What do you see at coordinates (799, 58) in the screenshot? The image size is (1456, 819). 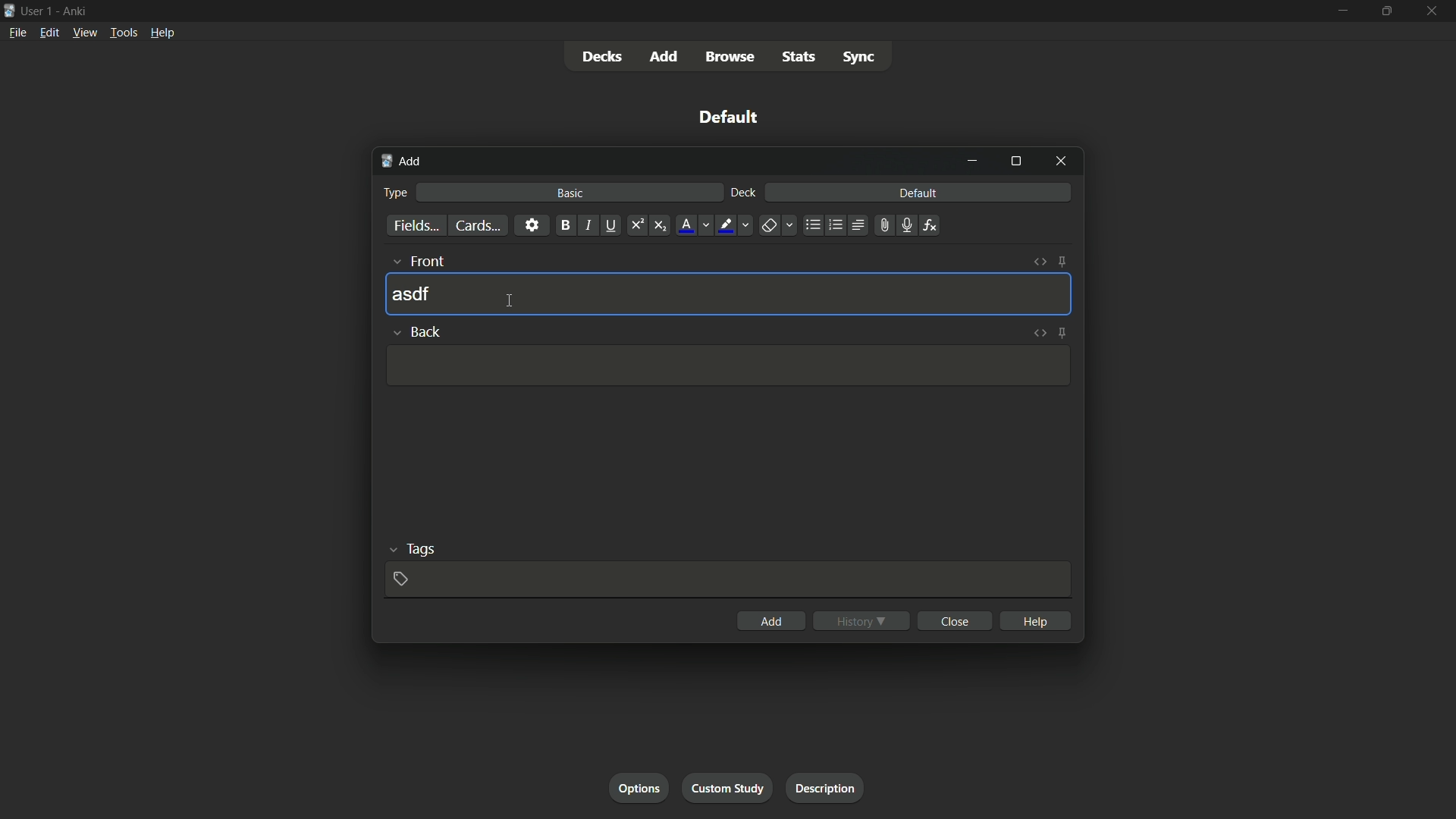 I see `stats` at bounding box center [799, 58].